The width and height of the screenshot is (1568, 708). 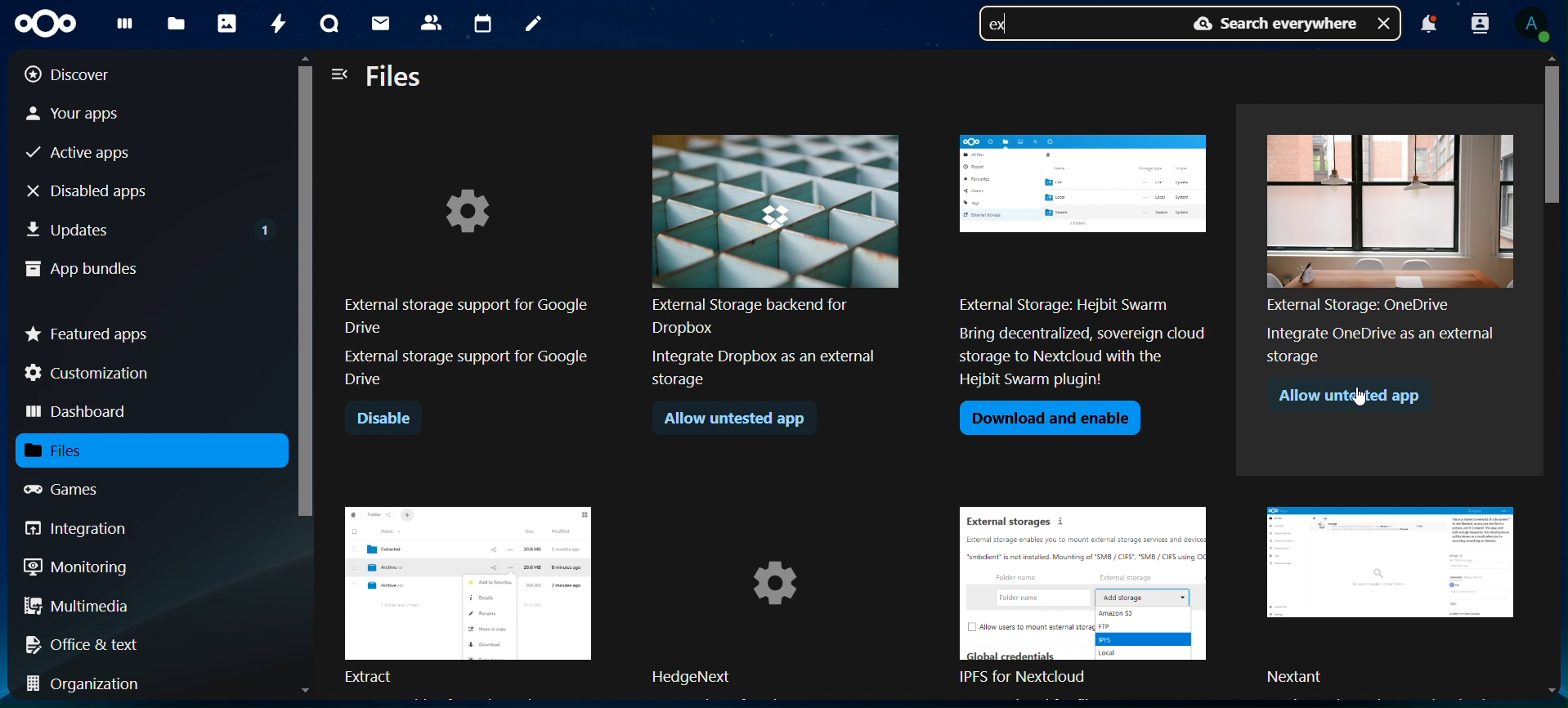 What do you see at coordinates (1396, 597) in the screenshot?
I see `Nextant` at bounding box center [1396, 597].